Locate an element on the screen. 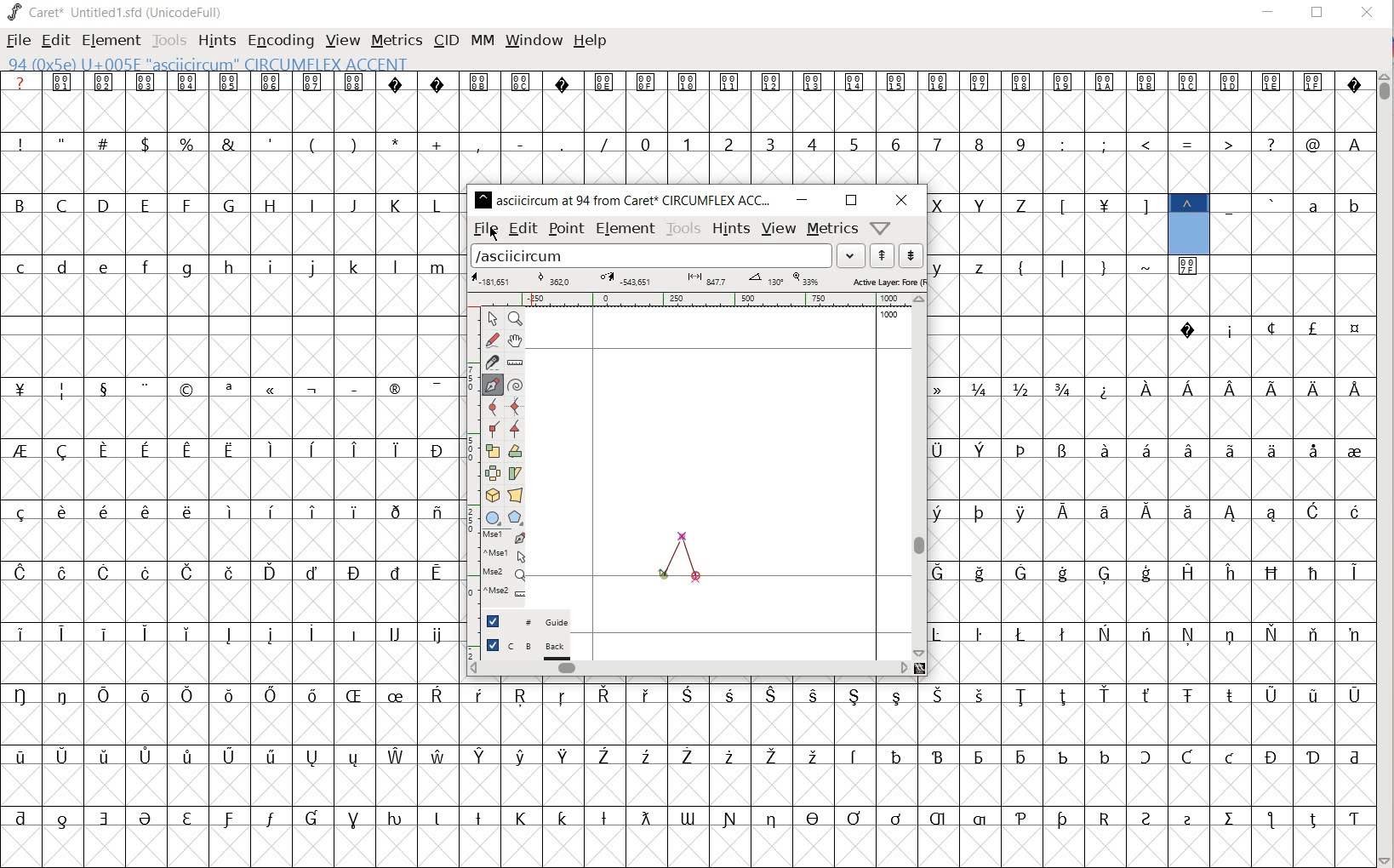 The width and height of the screenshot is (1394, 868). Add a corner point is located at coordinates (516, 428).